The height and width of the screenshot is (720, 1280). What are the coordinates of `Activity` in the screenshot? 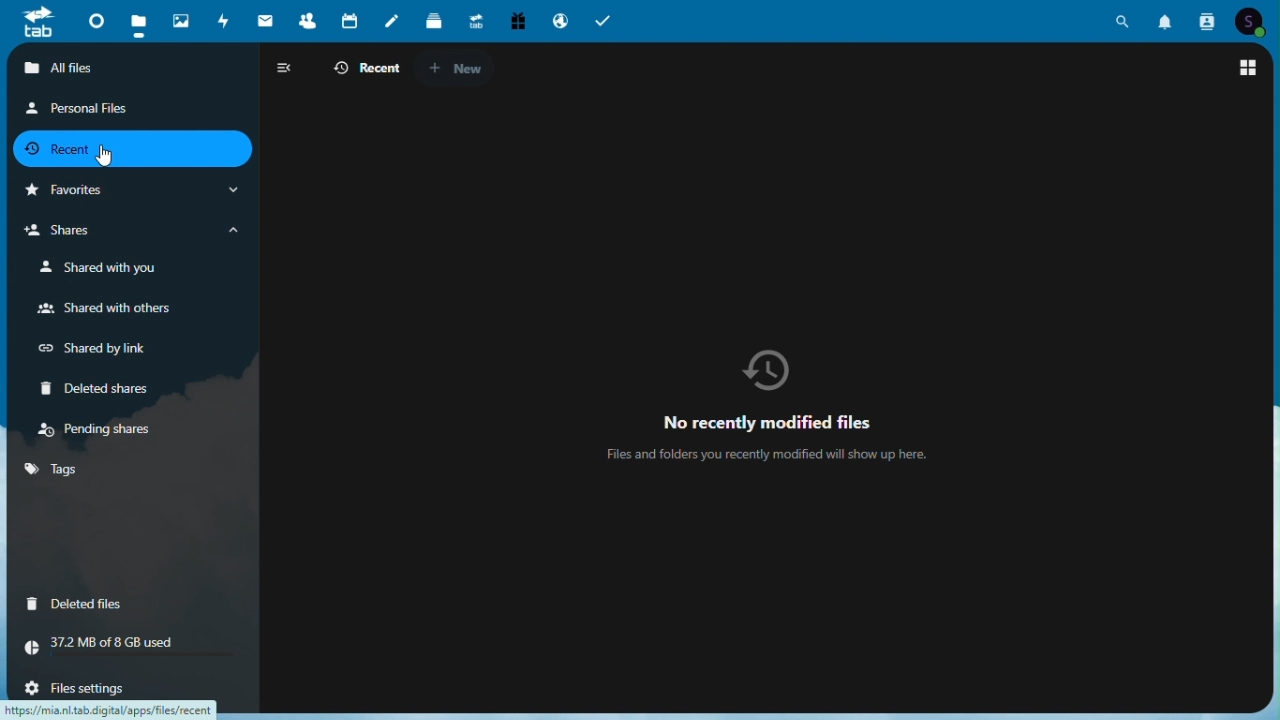 It's located at (225, 19).